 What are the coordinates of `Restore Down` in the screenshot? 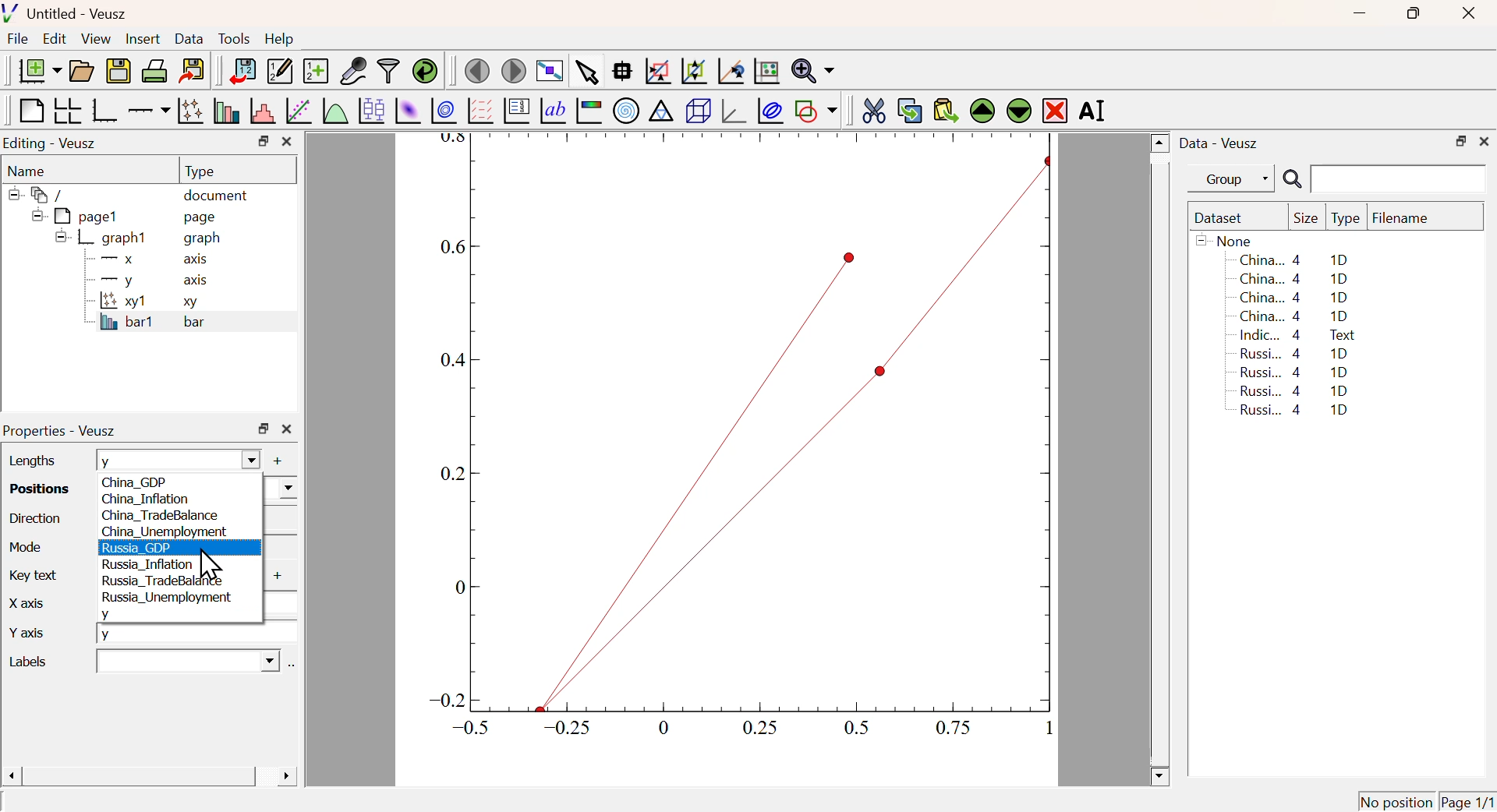 It's located at (1460, 142).